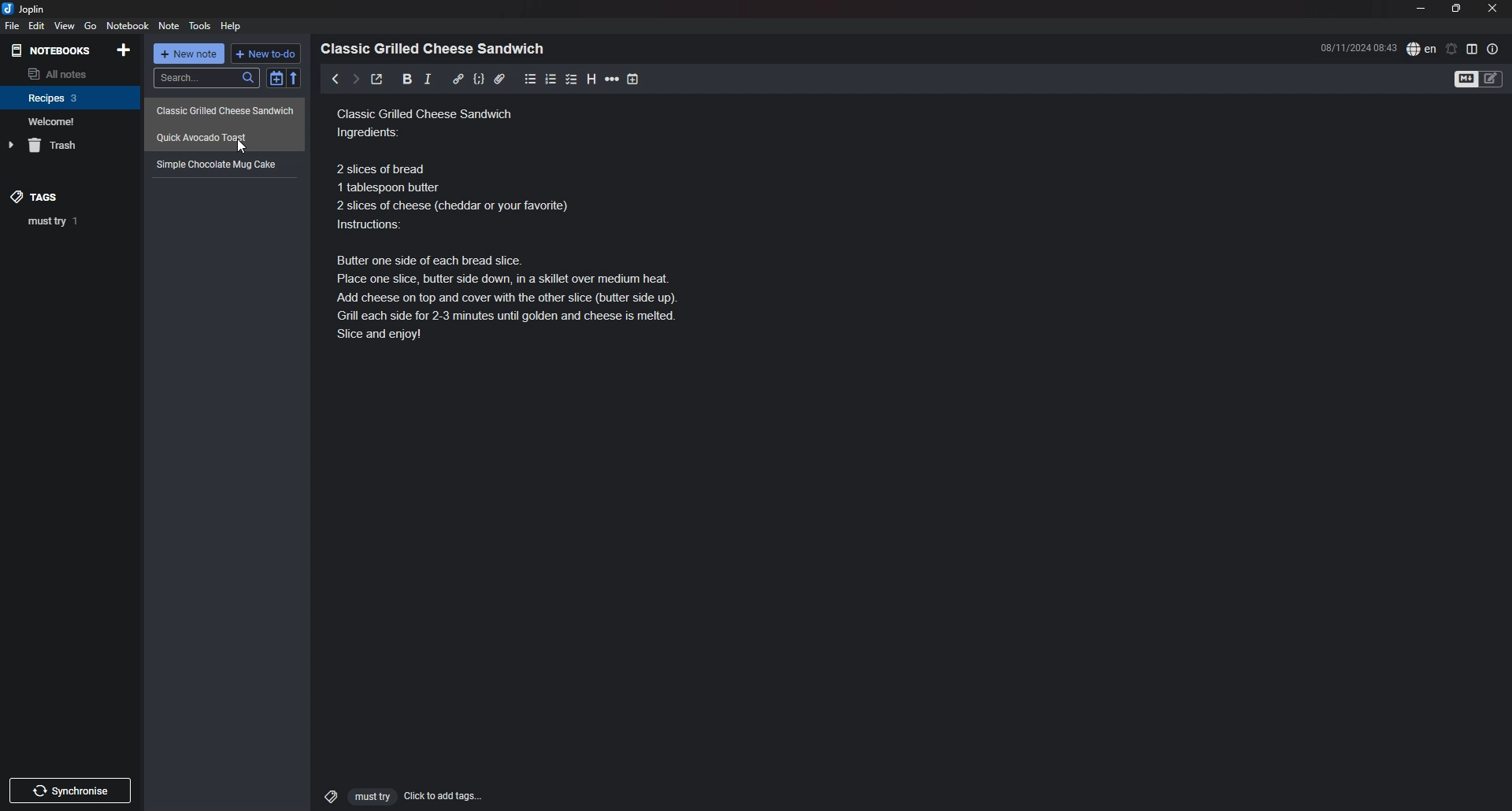 The height and width of the screenshot is (811, 1512). What do you see at coordinates (202, 26) in the screenshot?
I see `tools` at bounding box center [202, 26].